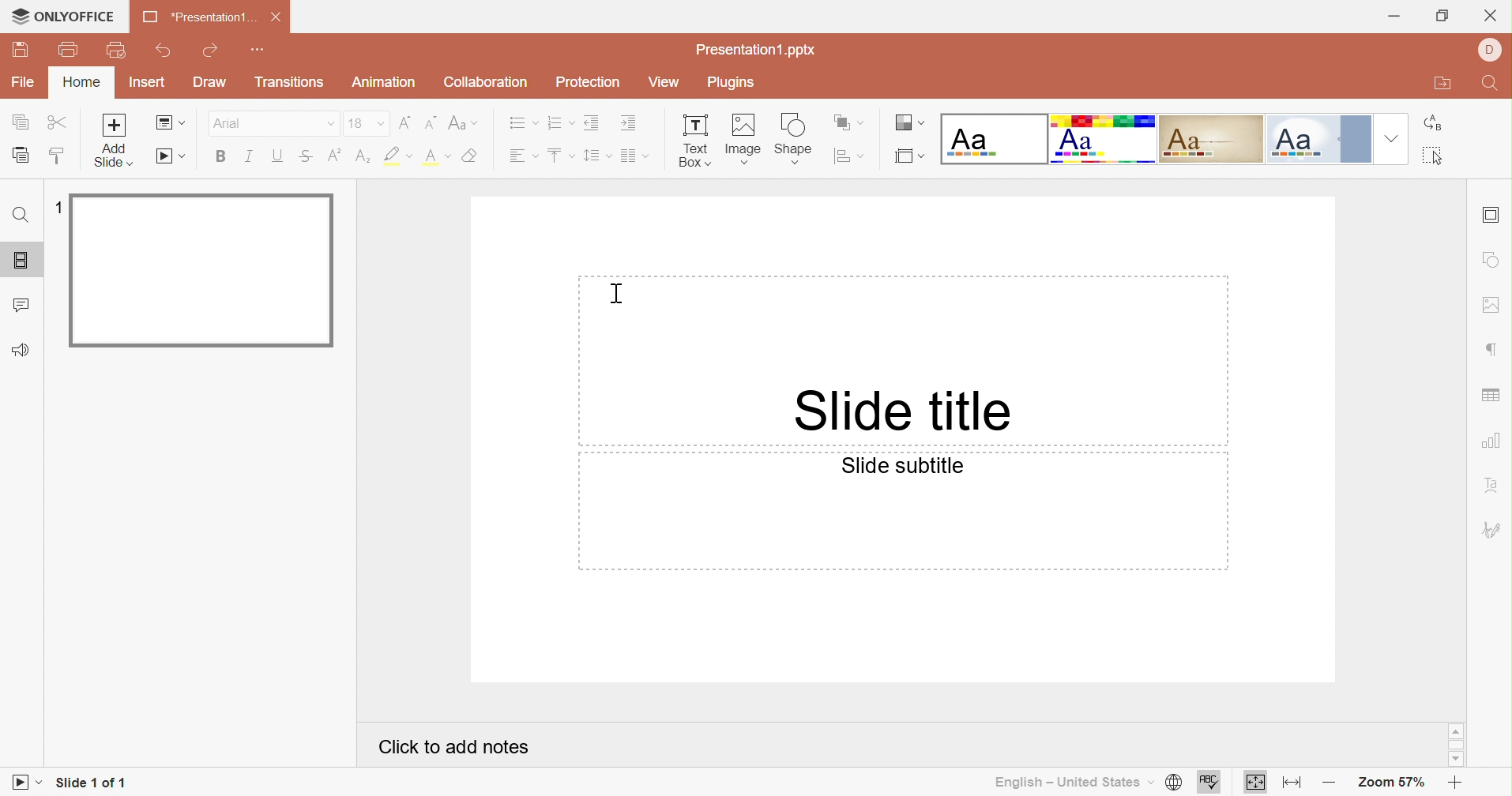 The height and width of the screenshot is (796, 1512). I want to click on Superscript, so click(305, 158).